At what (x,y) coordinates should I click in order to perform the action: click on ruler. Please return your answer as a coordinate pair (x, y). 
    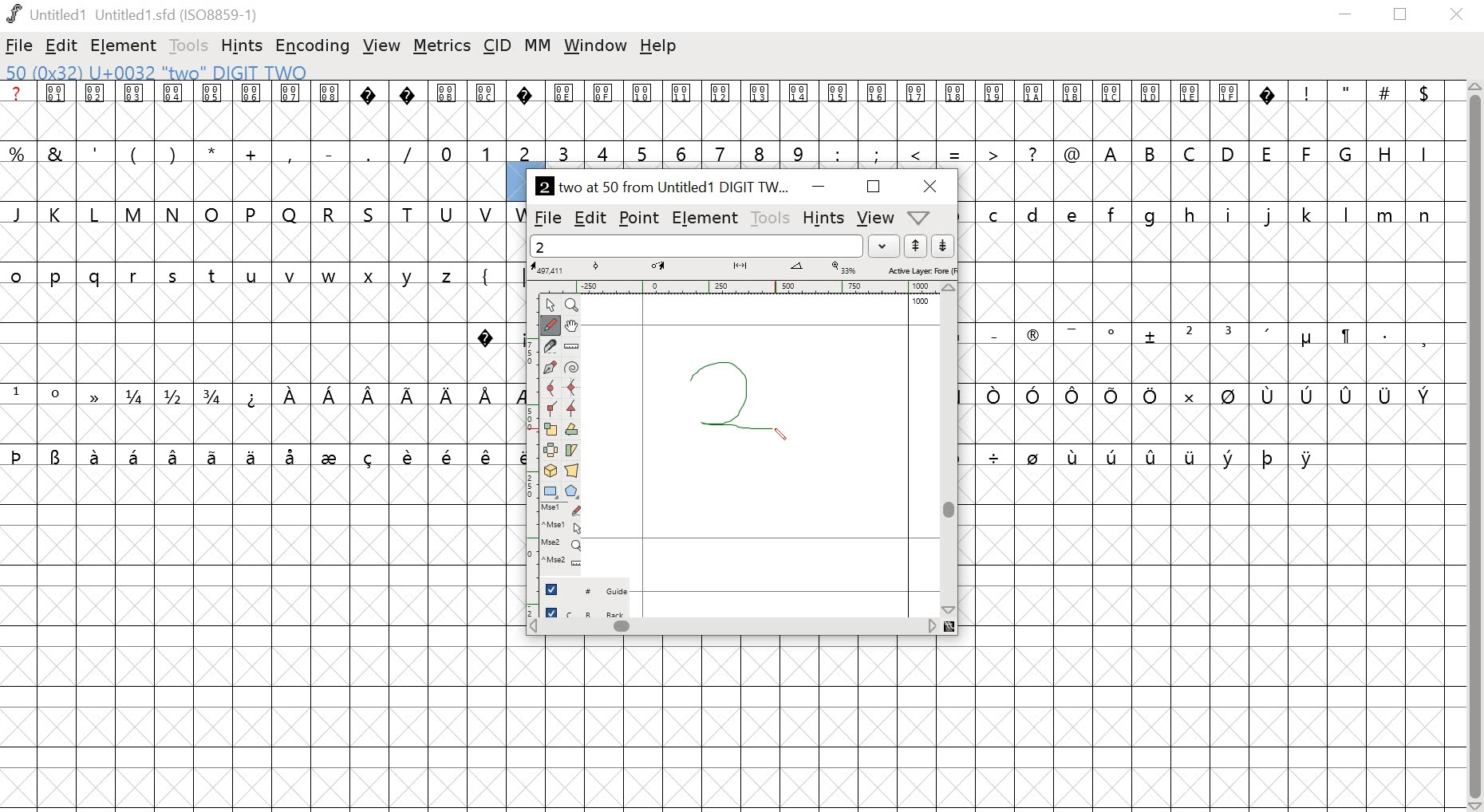
    Looking at the image, I should click on (532, 448).